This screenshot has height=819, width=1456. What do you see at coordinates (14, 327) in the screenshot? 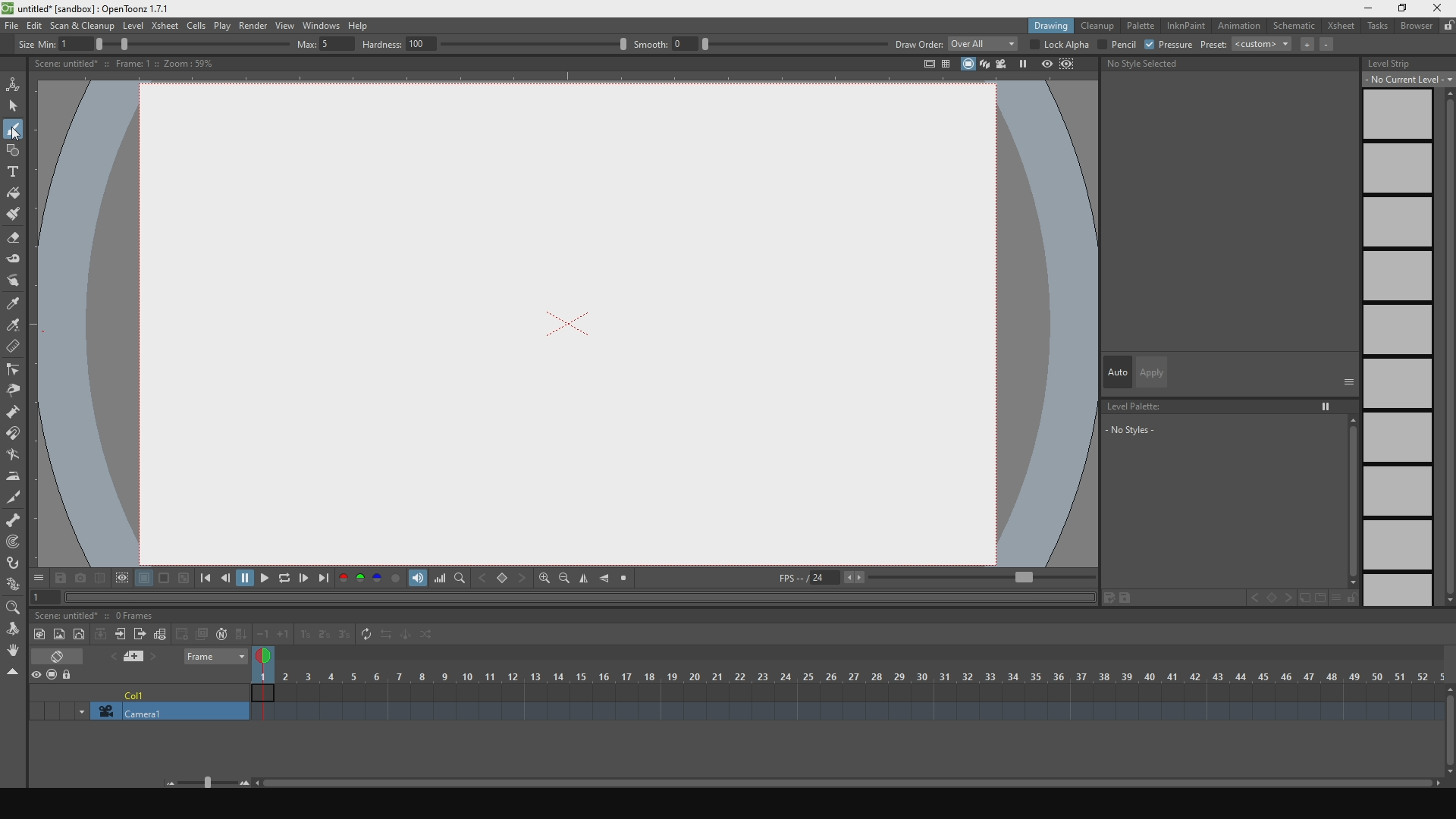
I see `color select` at bounding box center [14, 327].